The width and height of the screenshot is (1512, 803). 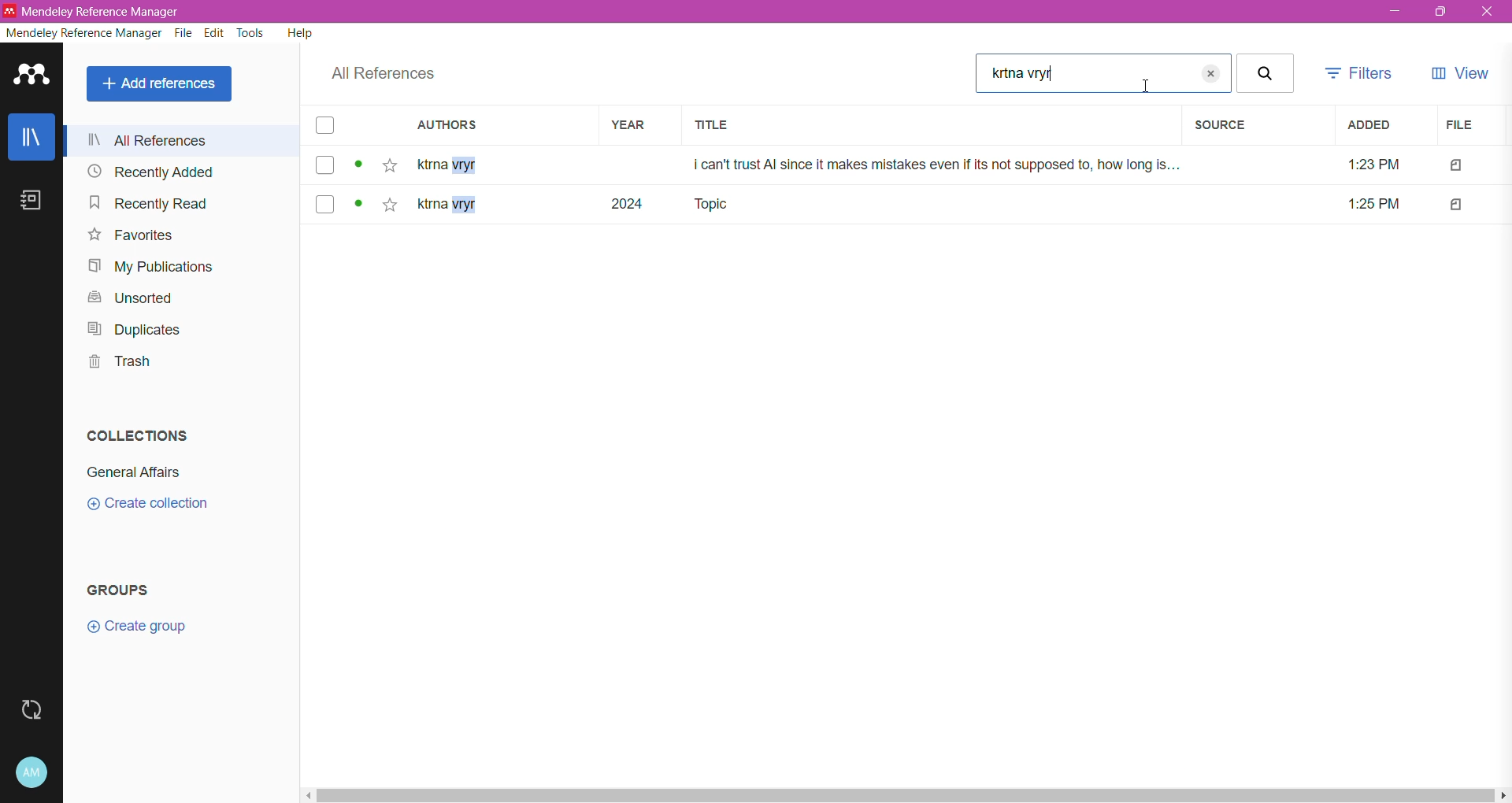 What do you see at coordinates (128, 237) in the screenshot?
I see `Favorites` at bounding box center [128, 237].